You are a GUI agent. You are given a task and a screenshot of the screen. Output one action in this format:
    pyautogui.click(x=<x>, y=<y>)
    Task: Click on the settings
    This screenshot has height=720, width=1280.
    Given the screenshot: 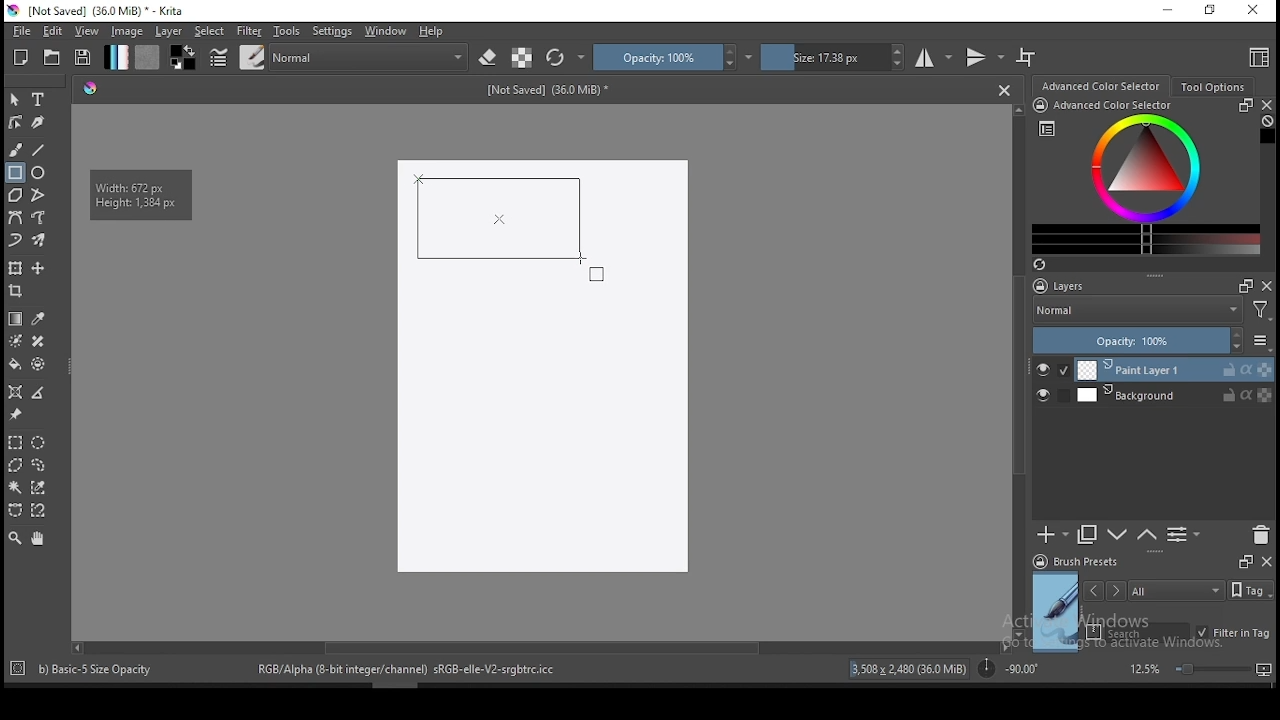 What is the action you would take?
    pyautogui.click(x=332, y=31)
    